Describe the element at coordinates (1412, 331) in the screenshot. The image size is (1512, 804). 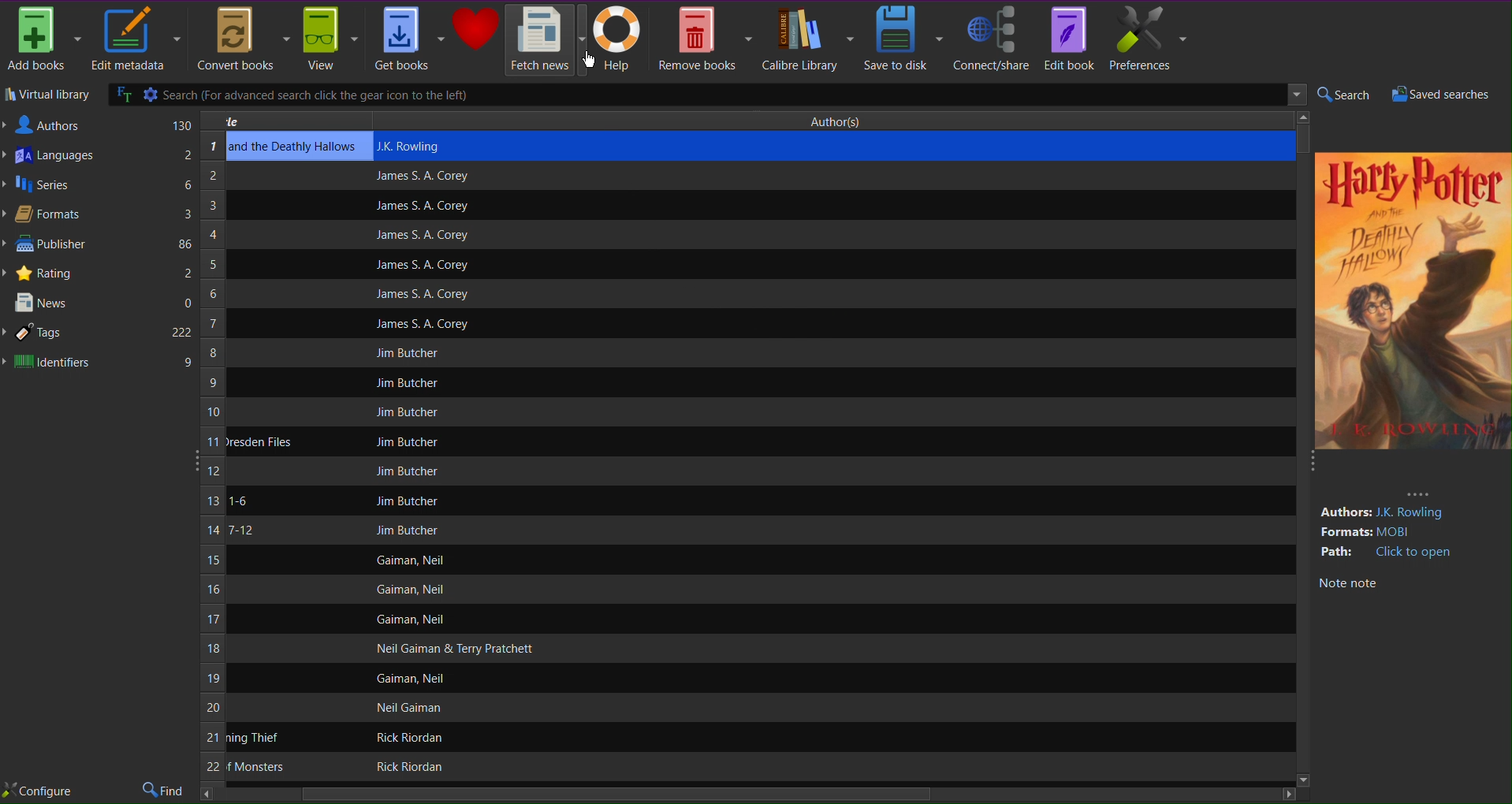
I see `Cover Preview` at that location.